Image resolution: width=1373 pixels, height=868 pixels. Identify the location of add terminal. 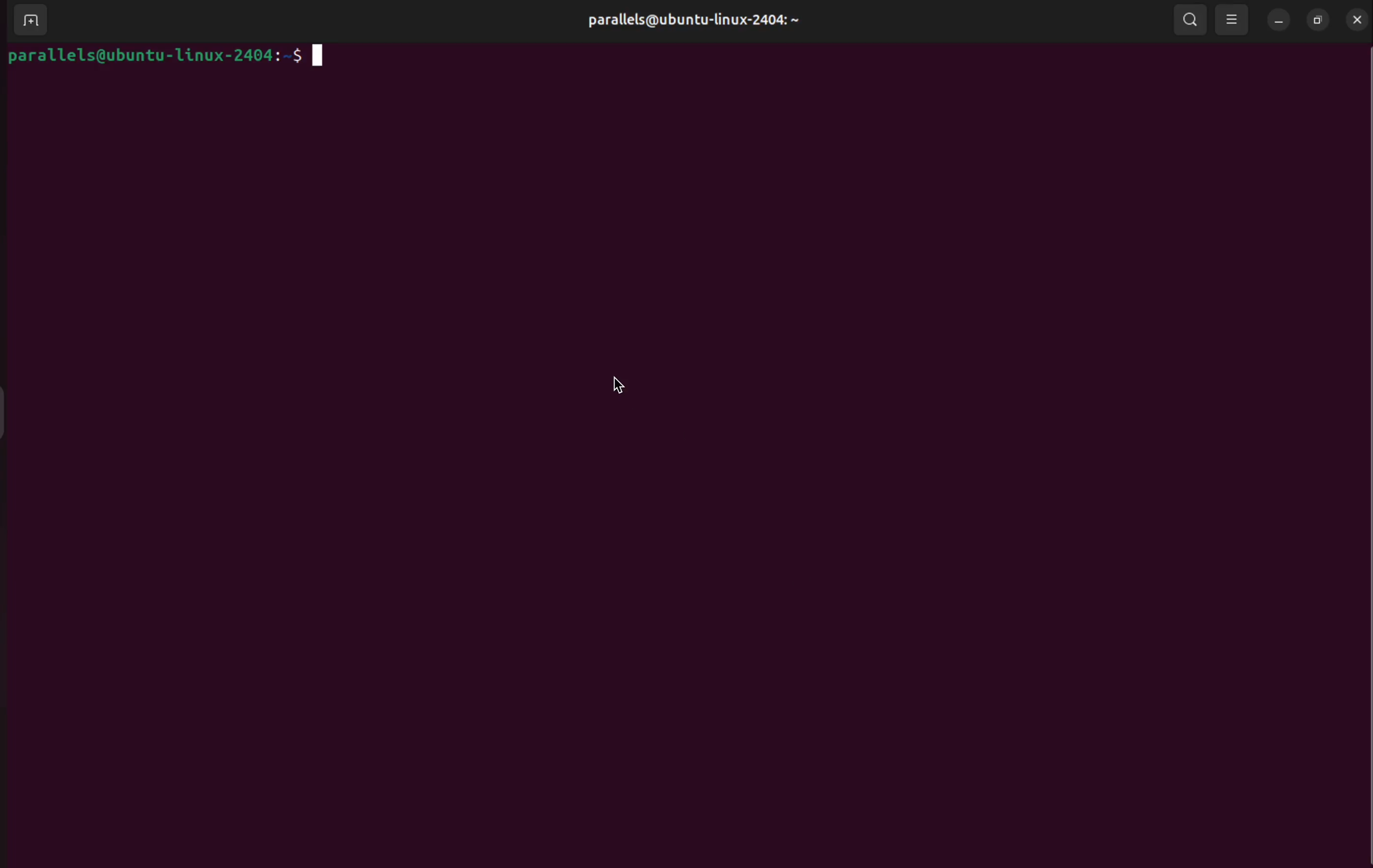
(30, 19).